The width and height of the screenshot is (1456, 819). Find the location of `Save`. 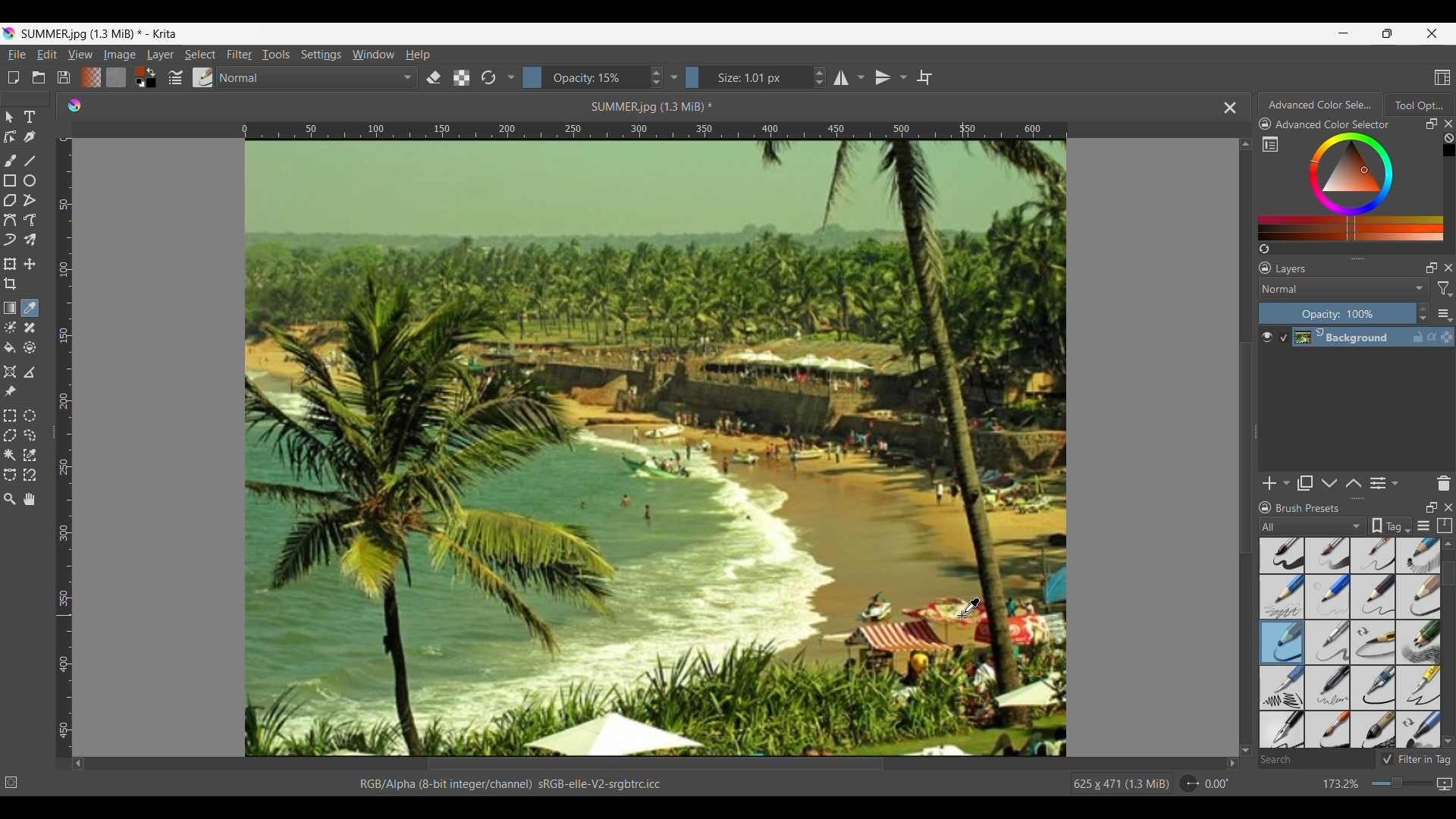

Save is located at coordinates (63, 77).